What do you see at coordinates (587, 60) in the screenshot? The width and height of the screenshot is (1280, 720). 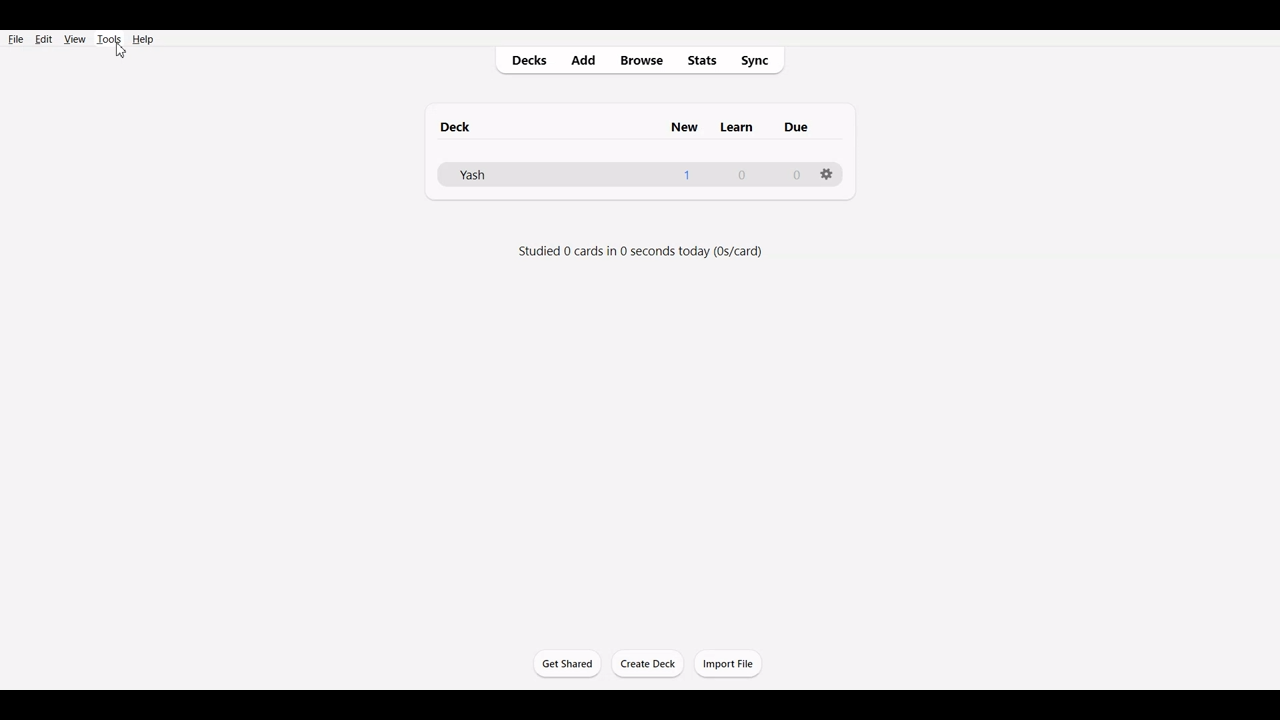 I see `Add` at bounding box center [587, 60].